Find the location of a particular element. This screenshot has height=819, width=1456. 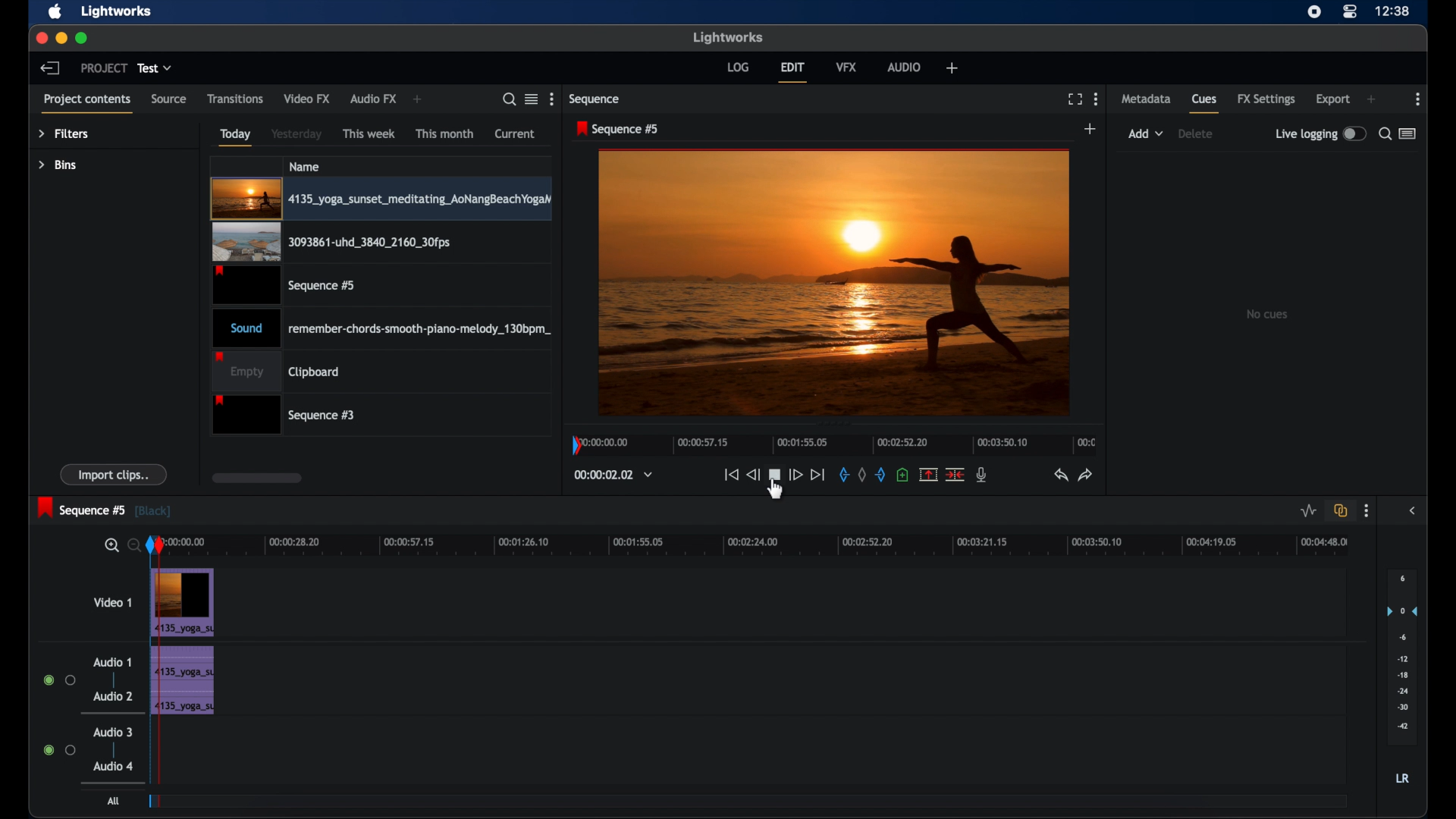

audio clip is located at coordinates (381, 328).